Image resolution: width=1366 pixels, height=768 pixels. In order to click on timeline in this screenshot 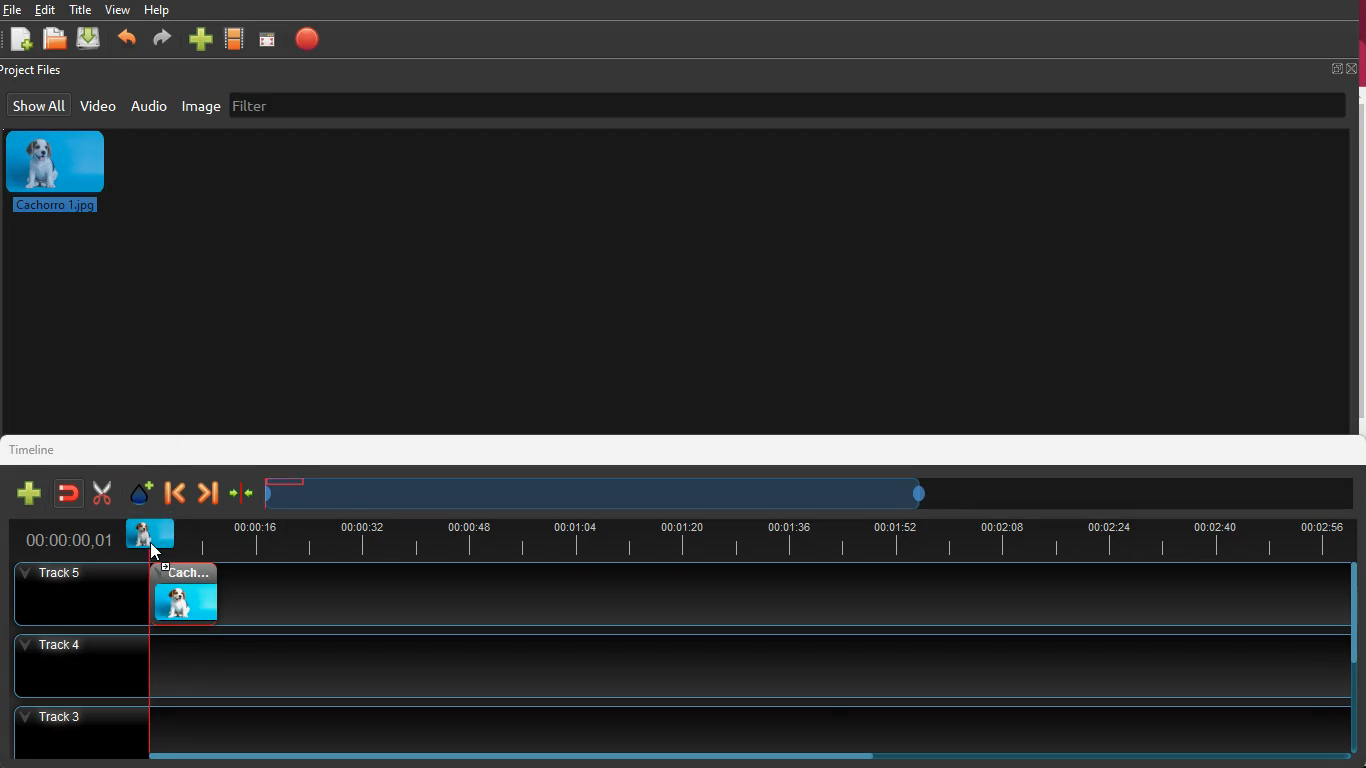, I will do `click(790, 537)`.